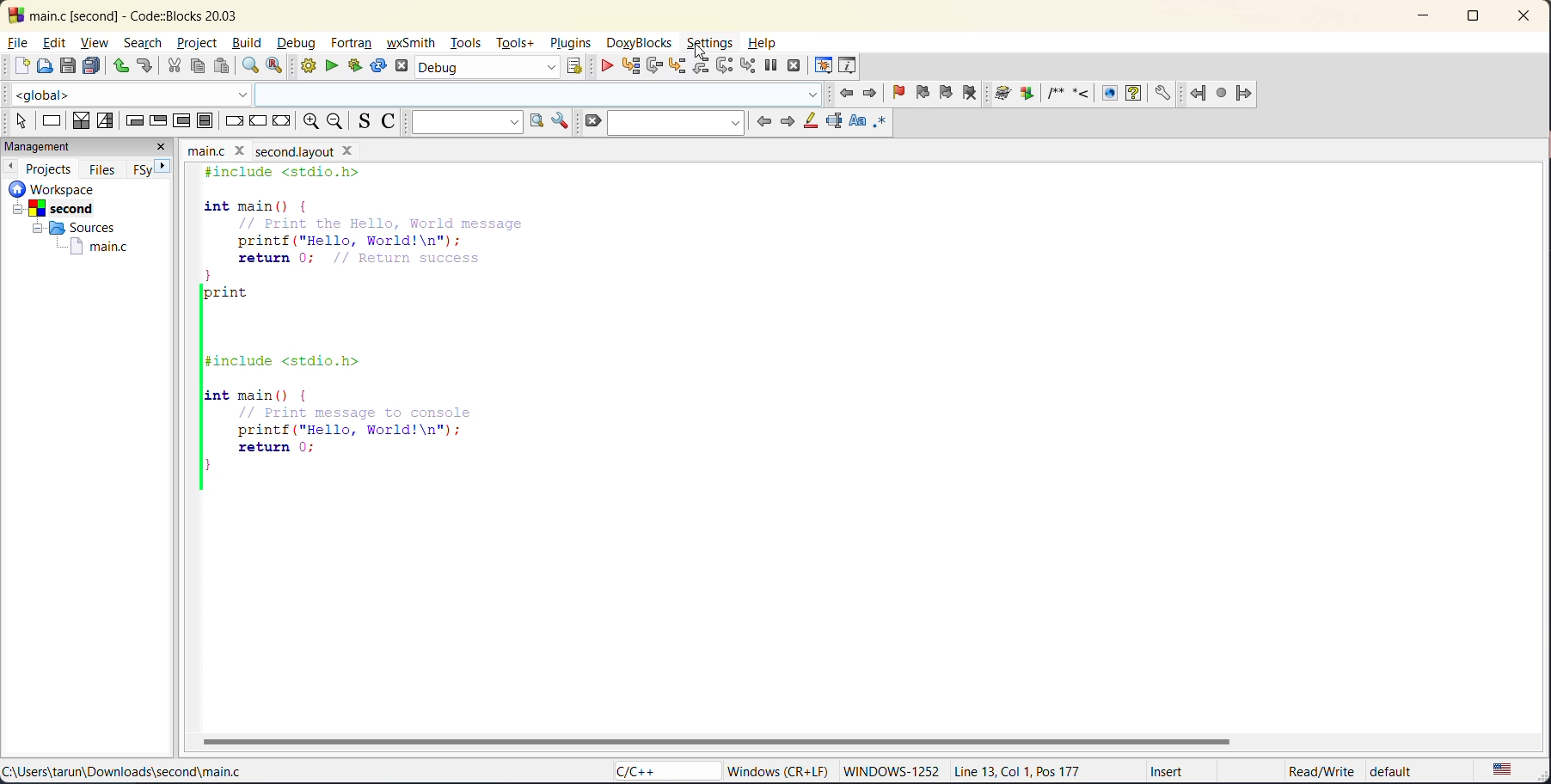 The width and height of the screenshot is (1551, 784). Describe the element at coordinates (871, 93) in the screenshot. I see `jump forward` at that location.